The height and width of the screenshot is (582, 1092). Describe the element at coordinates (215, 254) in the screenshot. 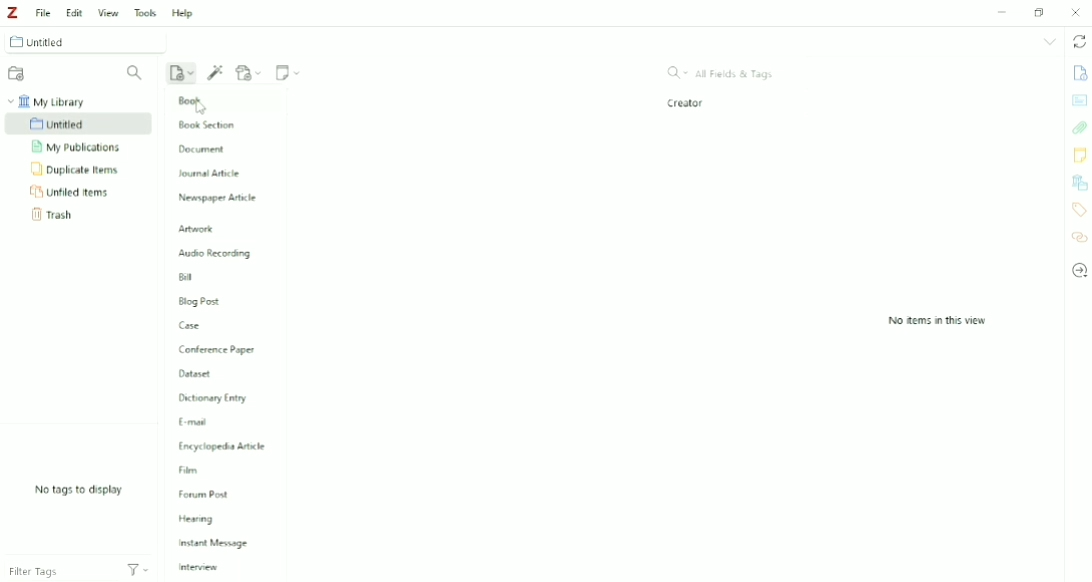

I see `Audio Recording` at that location.